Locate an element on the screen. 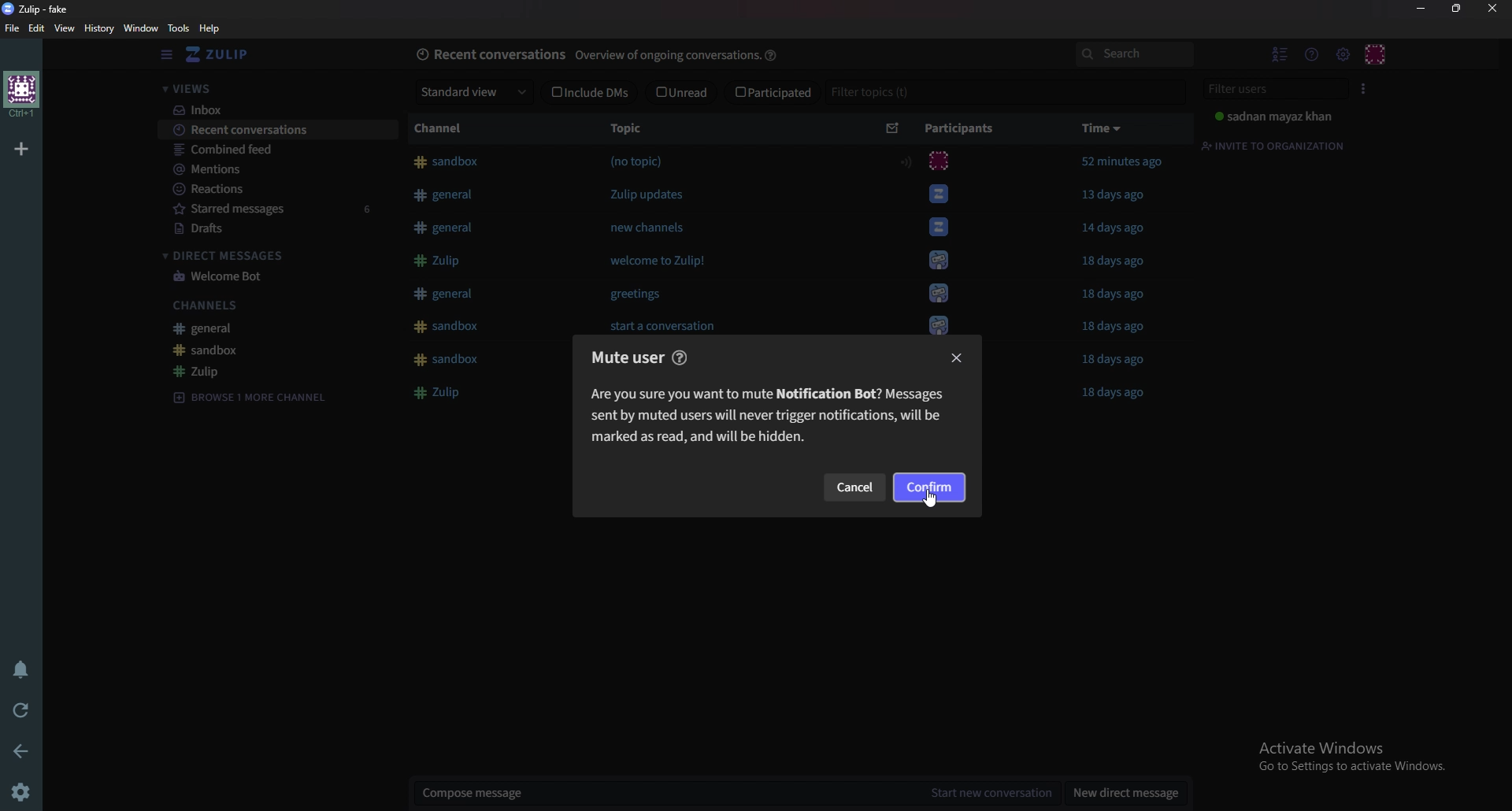 This screenshot has height=811, width=1512. close is located at coordinates (1491, 9).